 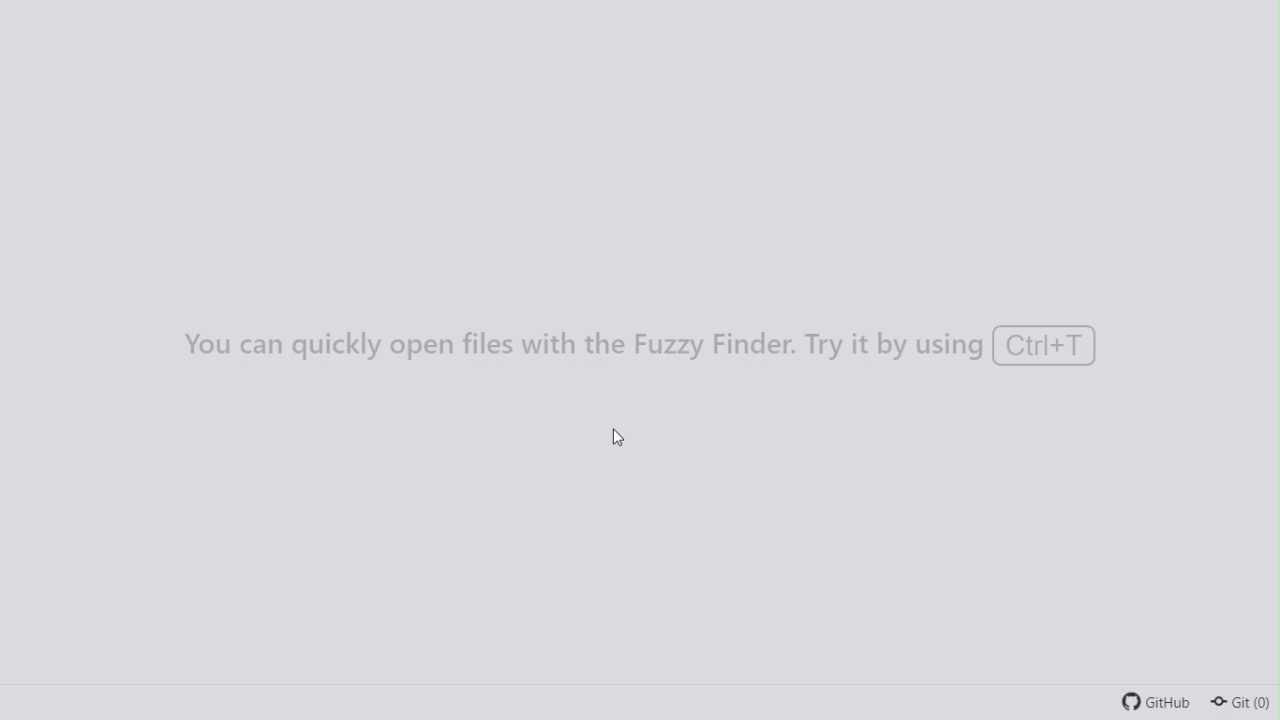 I want to click on You can quickly open files with the Fuzzy Finder. Try it by using ctrl+T, so click(x=630, y=347).